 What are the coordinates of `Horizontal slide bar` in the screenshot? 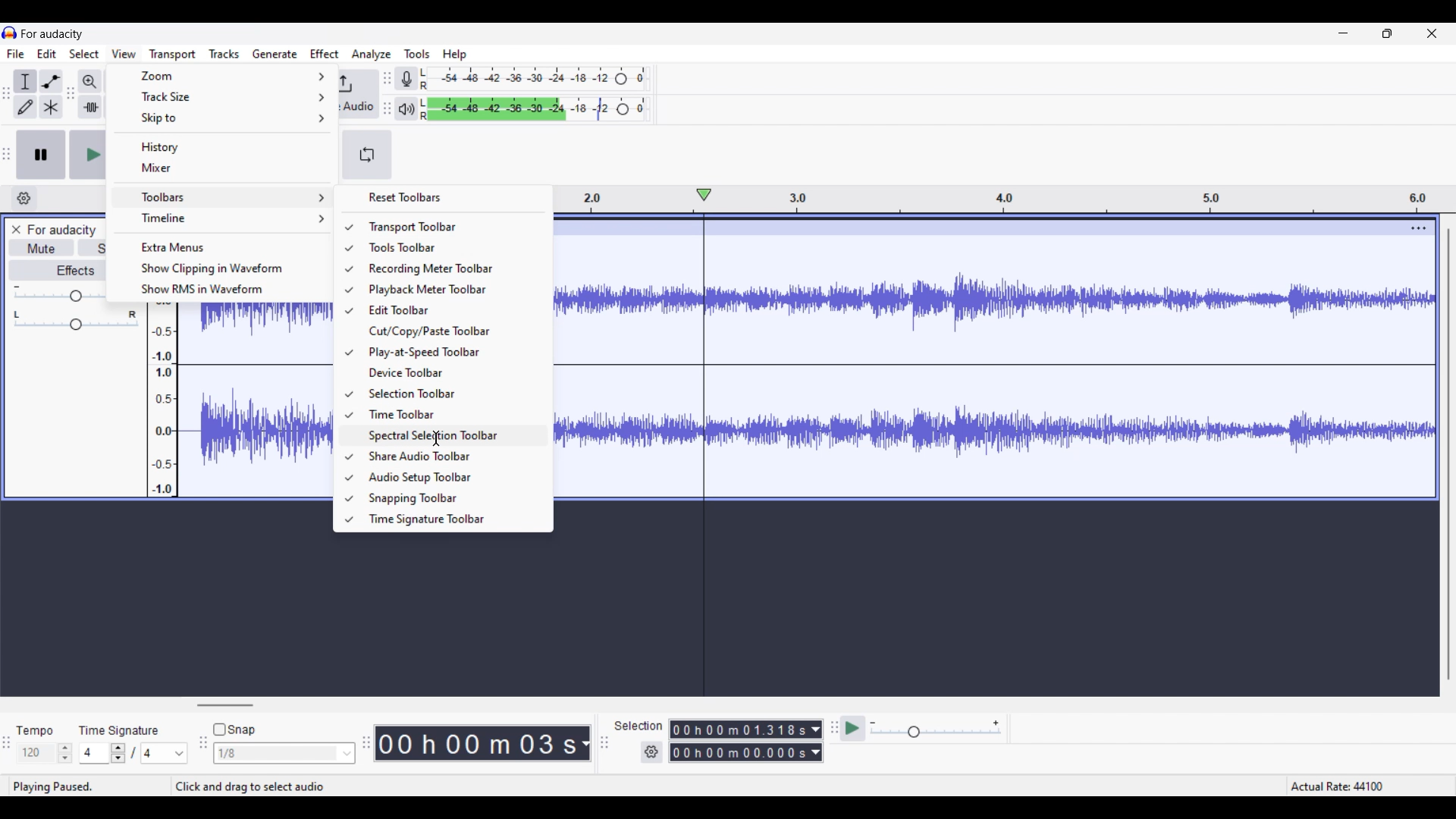 It's located at (226, 705).